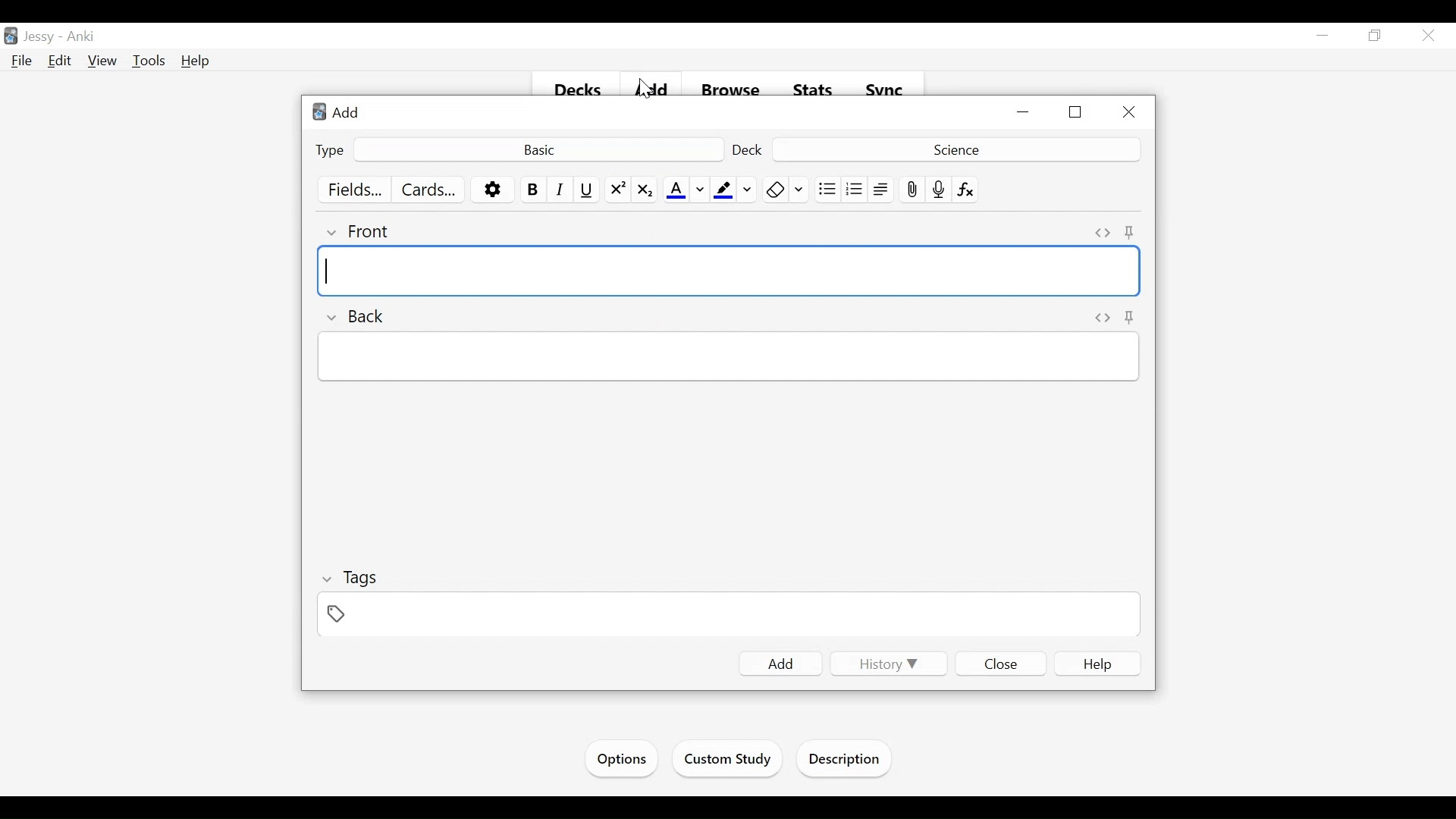  I want to click on Description, so click(848, 761).